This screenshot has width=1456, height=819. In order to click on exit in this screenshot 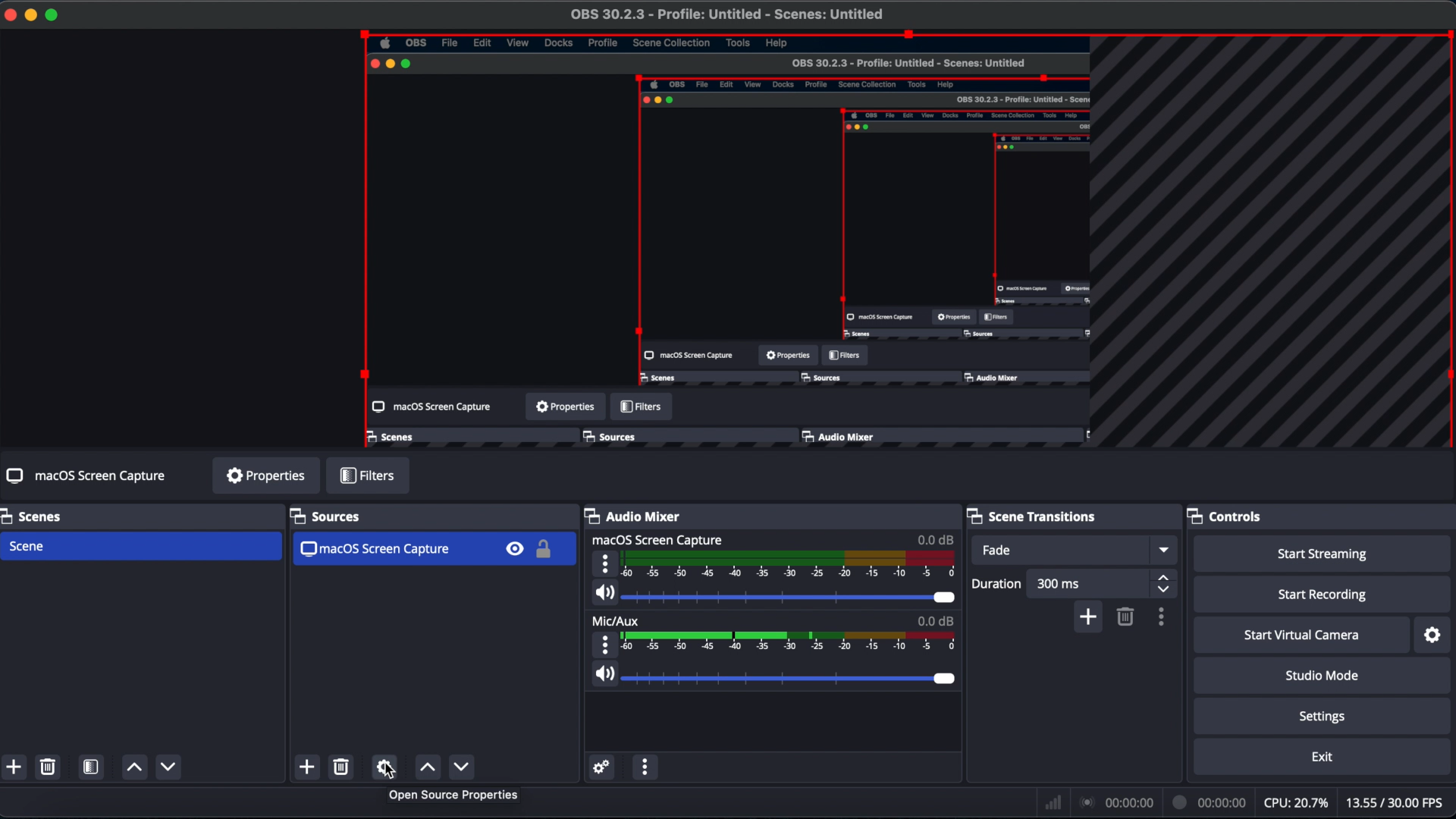, I will do `click(1323, 758)`.